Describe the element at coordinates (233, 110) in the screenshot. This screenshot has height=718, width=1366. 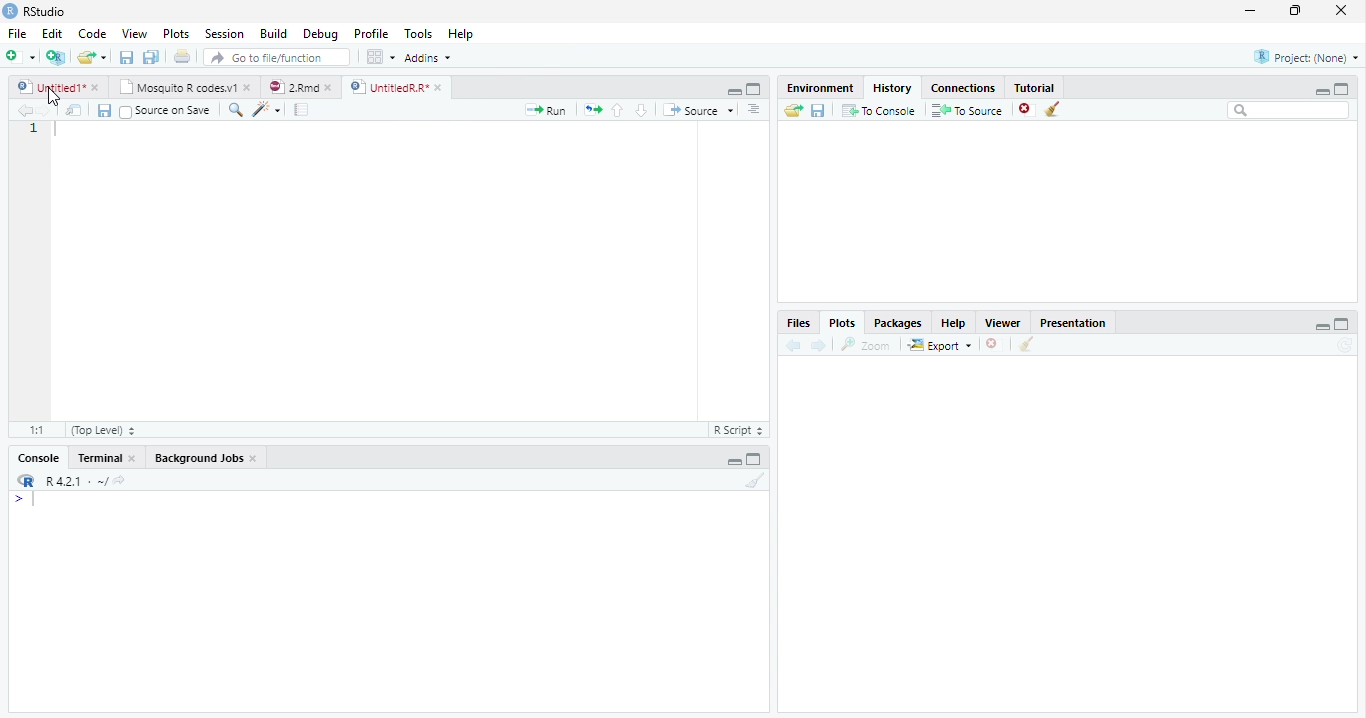
I see `Find/Replace` at that location.